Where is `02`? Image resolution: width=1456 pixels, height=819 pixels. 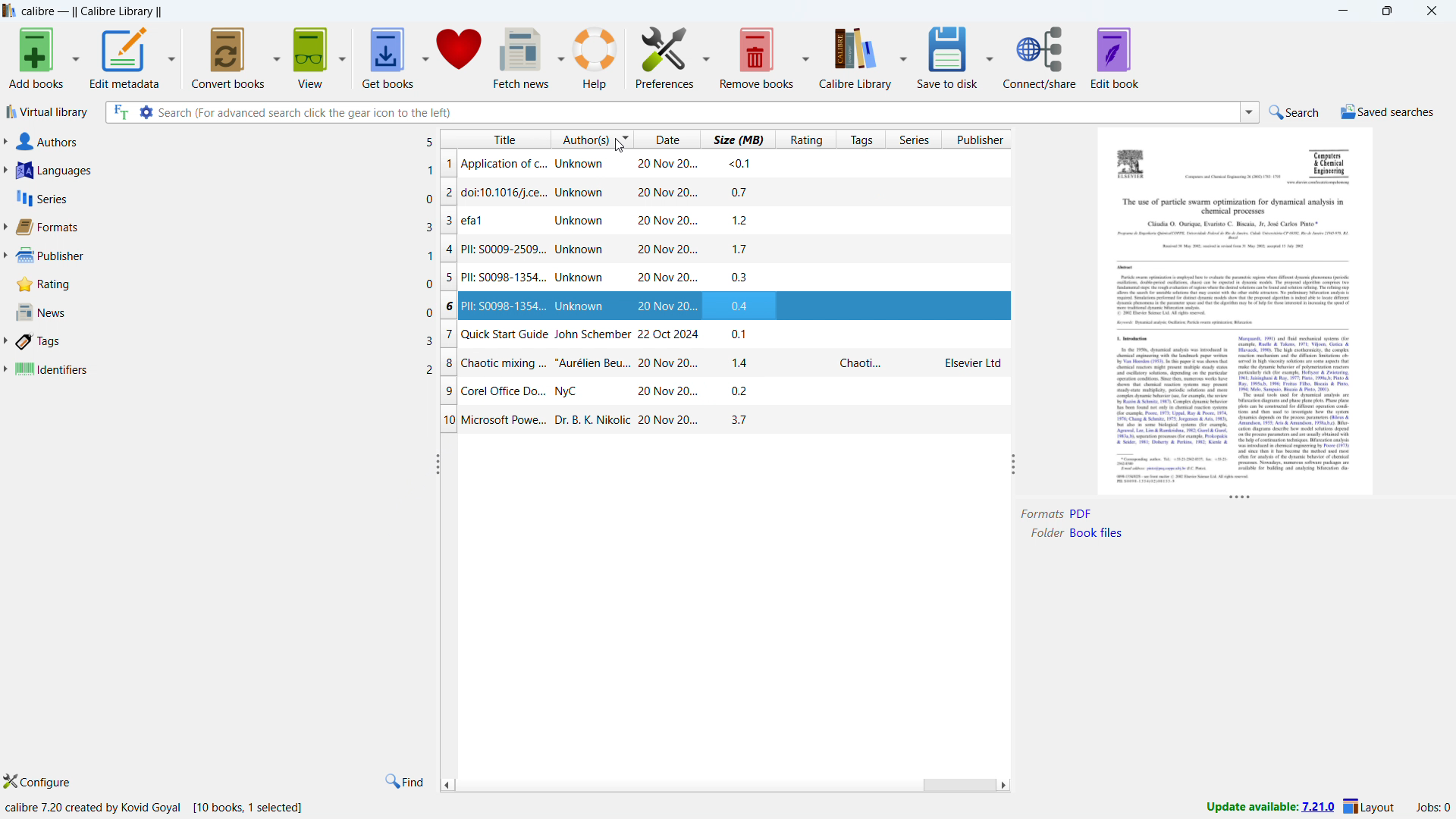 02 is located at coordinates (745, 390).